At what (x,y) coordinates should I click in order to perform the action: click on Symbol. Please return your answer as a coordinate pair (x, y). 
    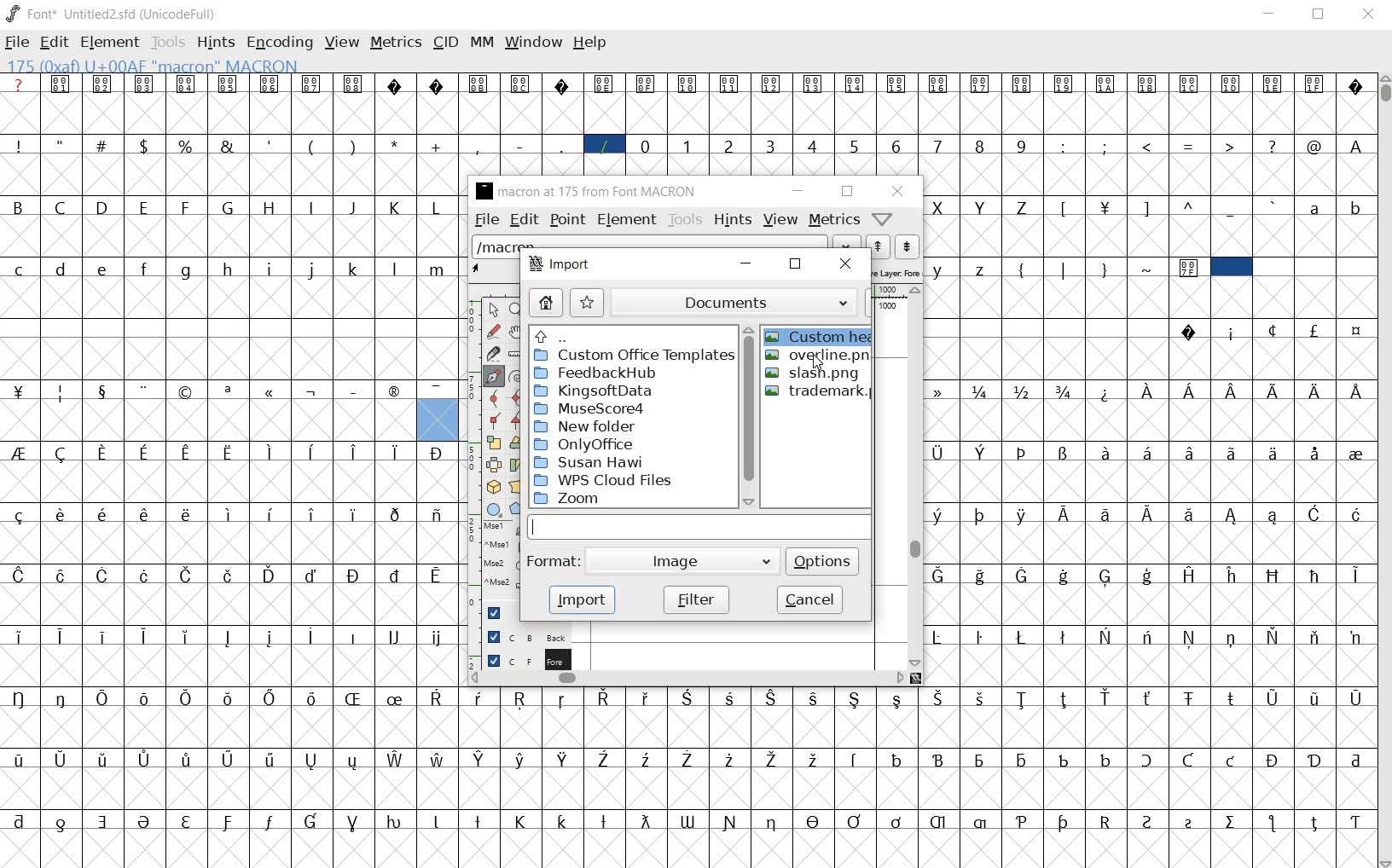
    Looking at the image, I should click on (230, 757).